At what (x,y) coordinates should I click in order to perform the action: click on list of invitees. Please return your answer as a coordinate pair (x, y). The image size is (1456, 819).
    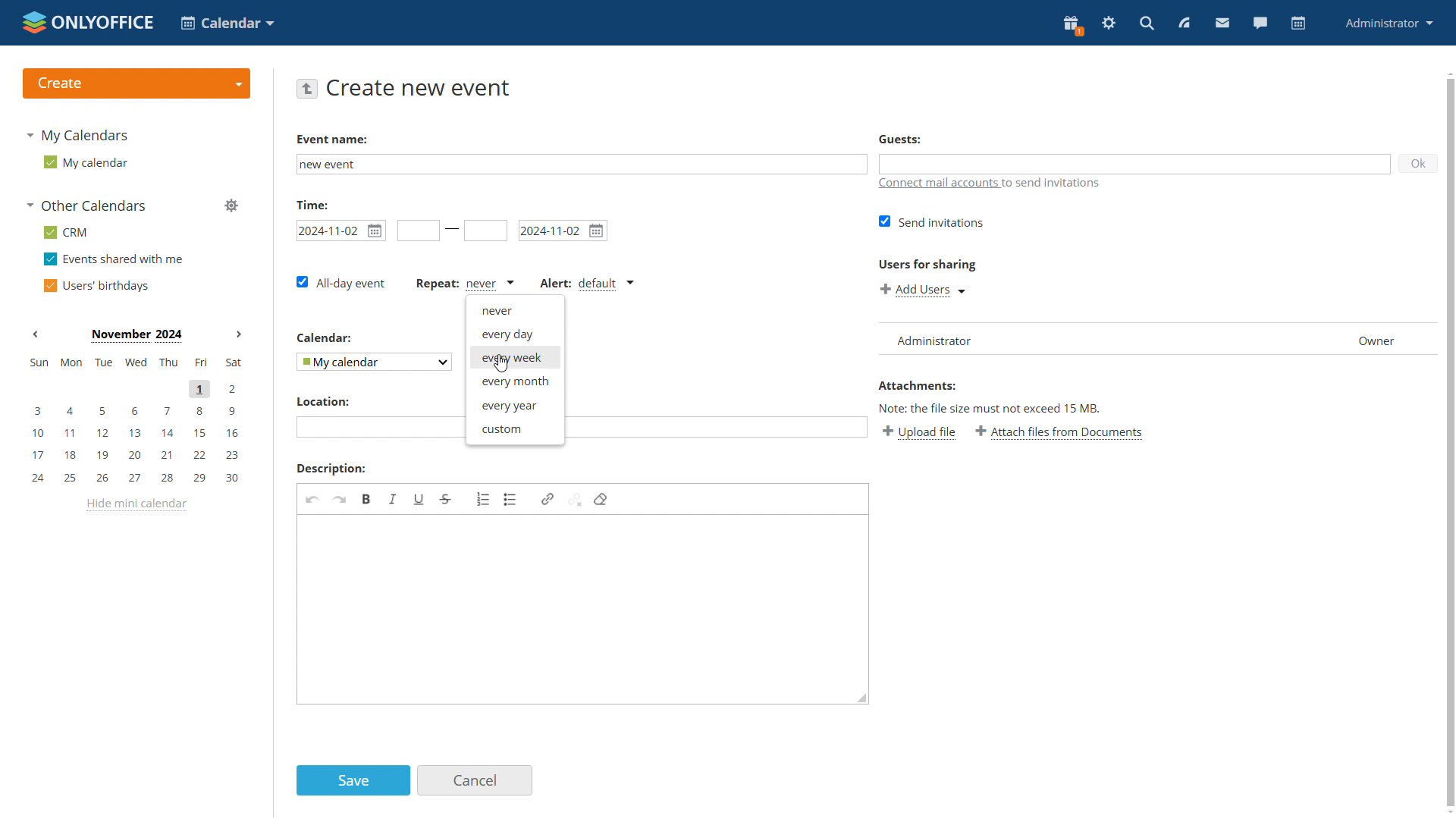
    Looking at the image, I should click on (1156, 337).